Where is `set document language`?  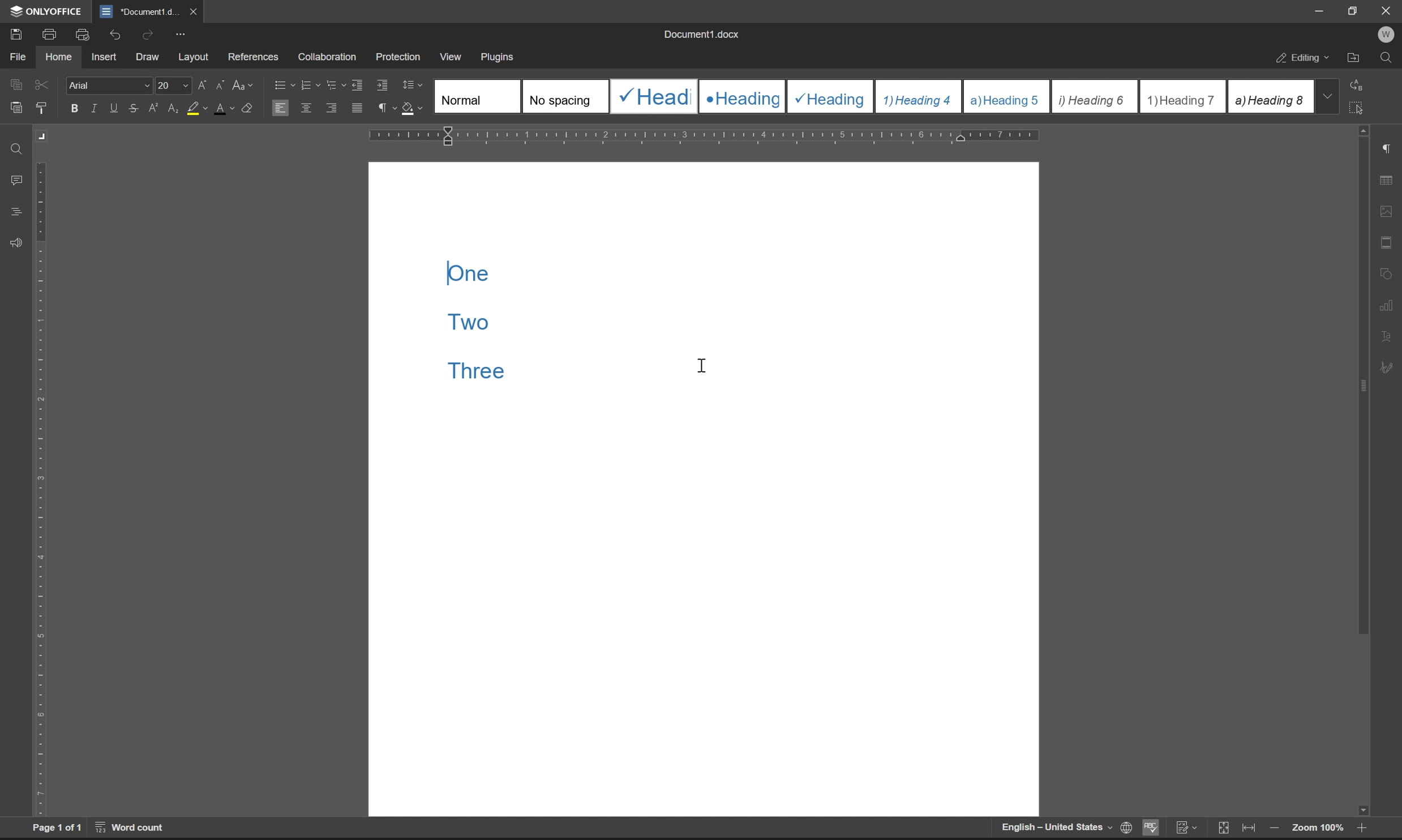
set document language is located at coordinates (1124, 828).